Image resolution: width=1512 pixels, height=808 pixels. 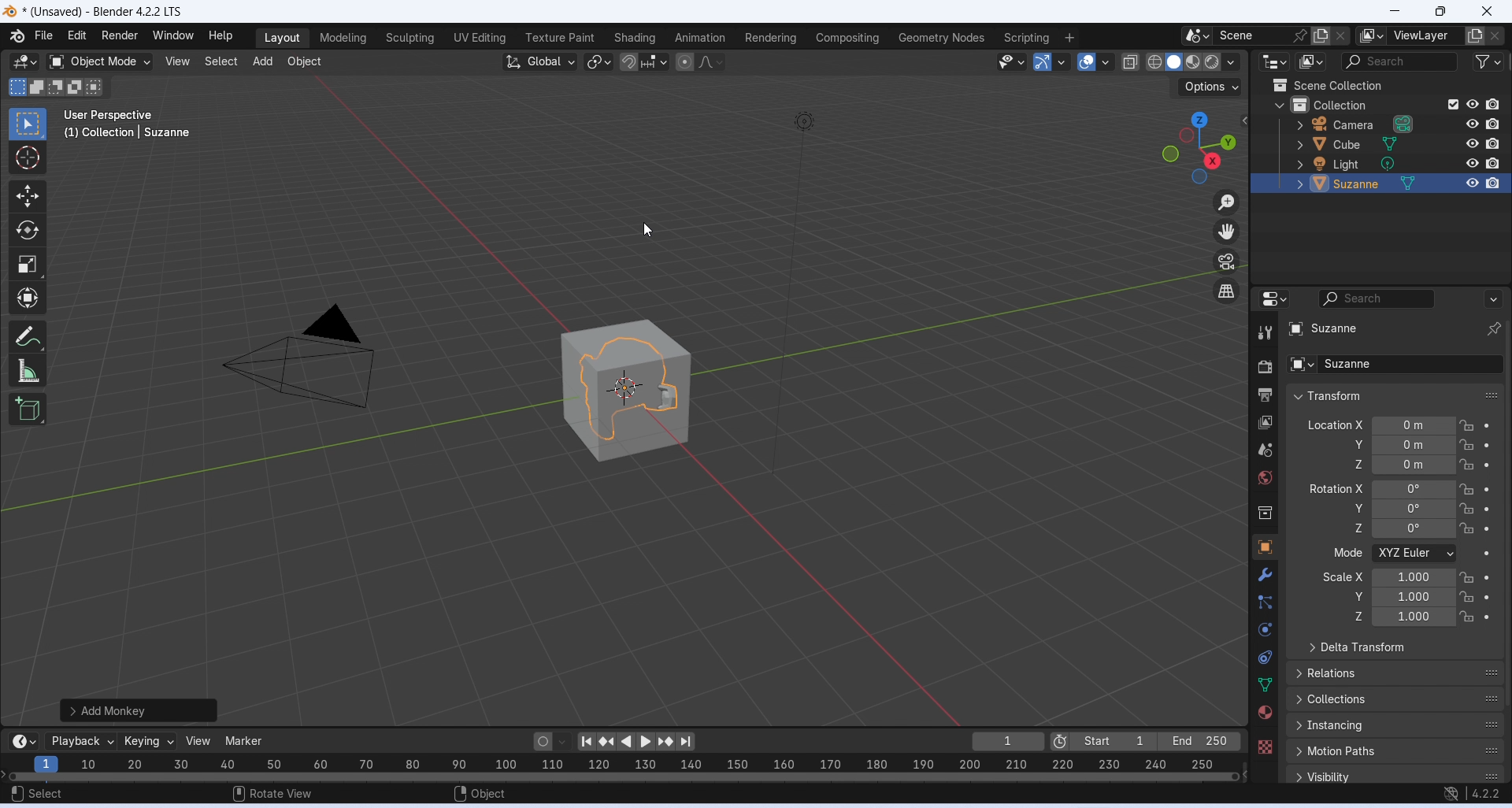 I want to click on rotation x, so click(x=1336, y=488).